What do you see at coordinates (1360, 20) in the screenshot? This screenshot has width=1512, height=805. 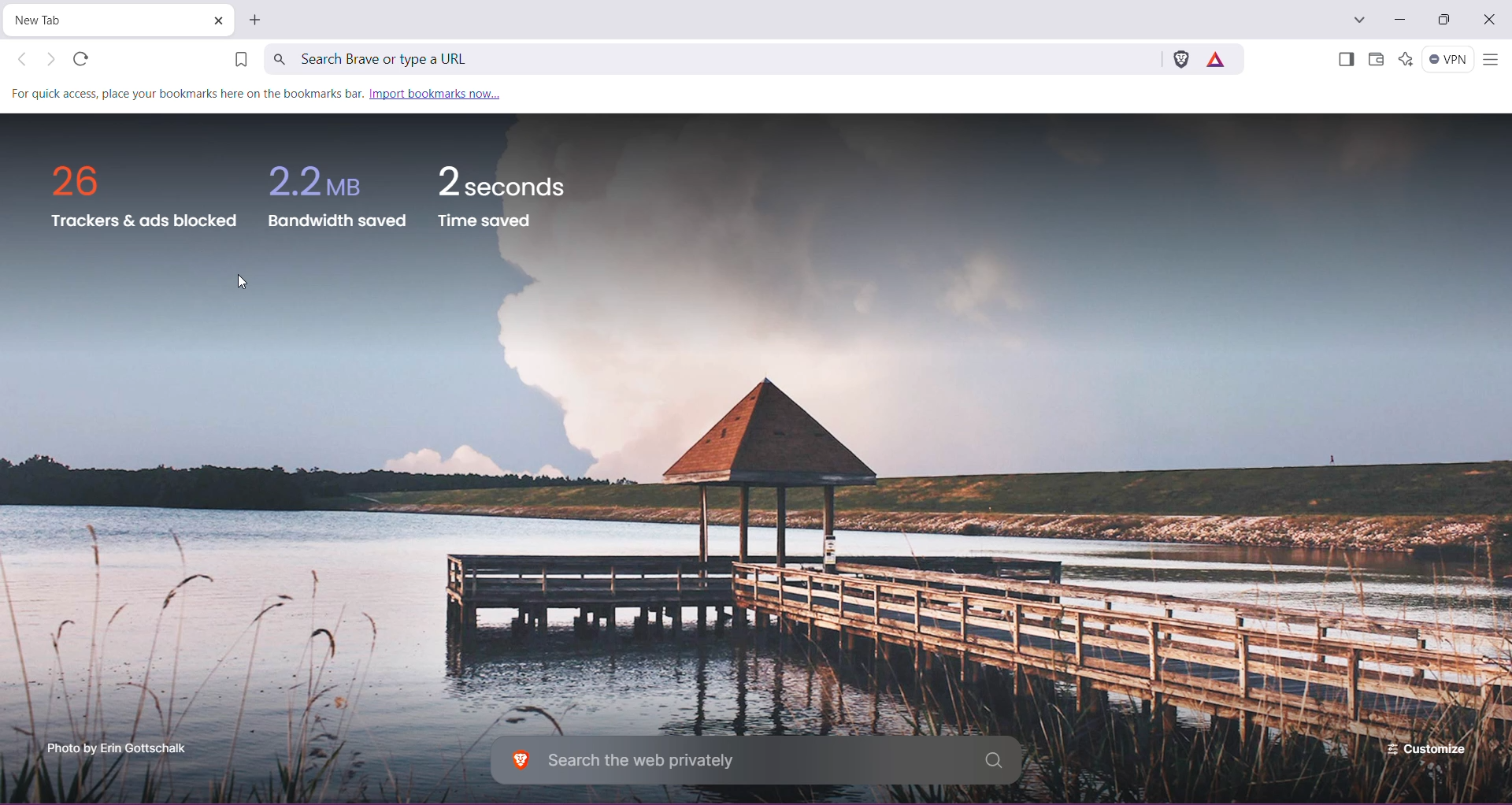 I see `Search tabs` at bounding box center [1360, 20].